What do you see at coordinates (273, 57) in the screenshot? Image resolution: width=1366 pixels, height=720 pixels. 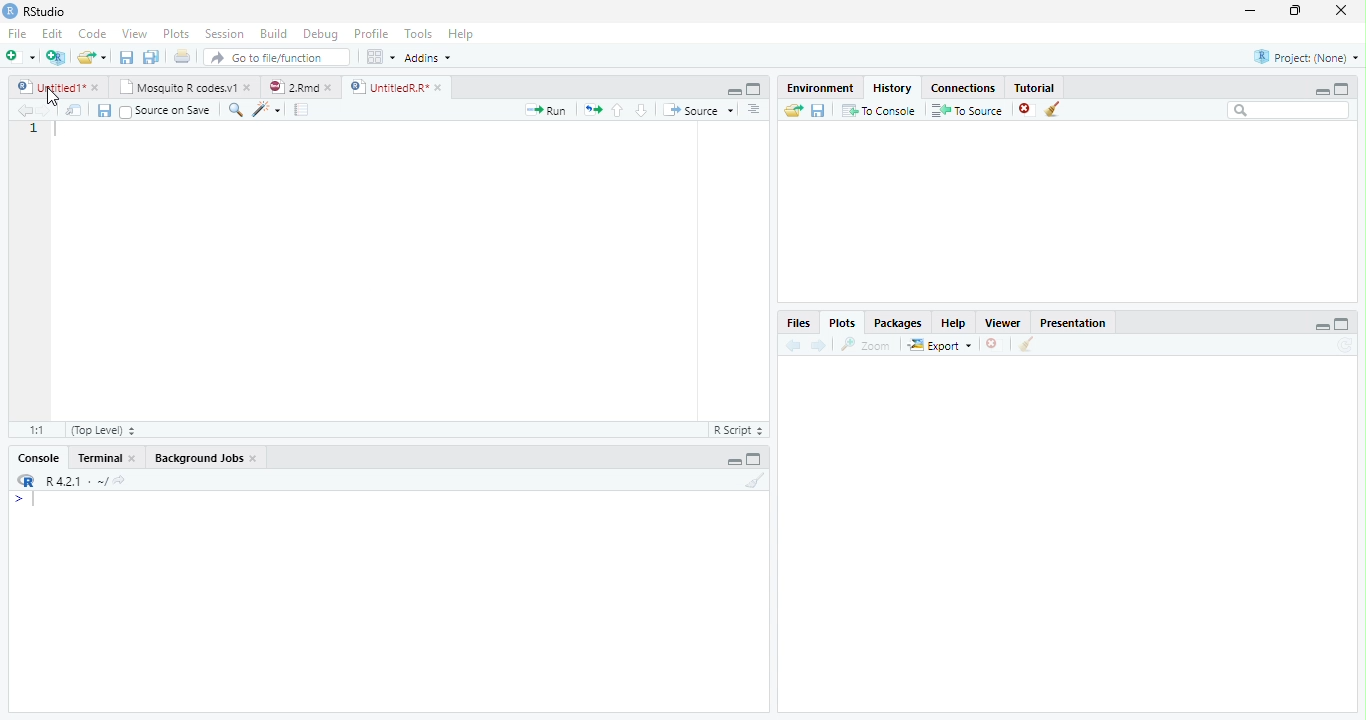 I see `GO to file/function` at bounding box center [273, 57].